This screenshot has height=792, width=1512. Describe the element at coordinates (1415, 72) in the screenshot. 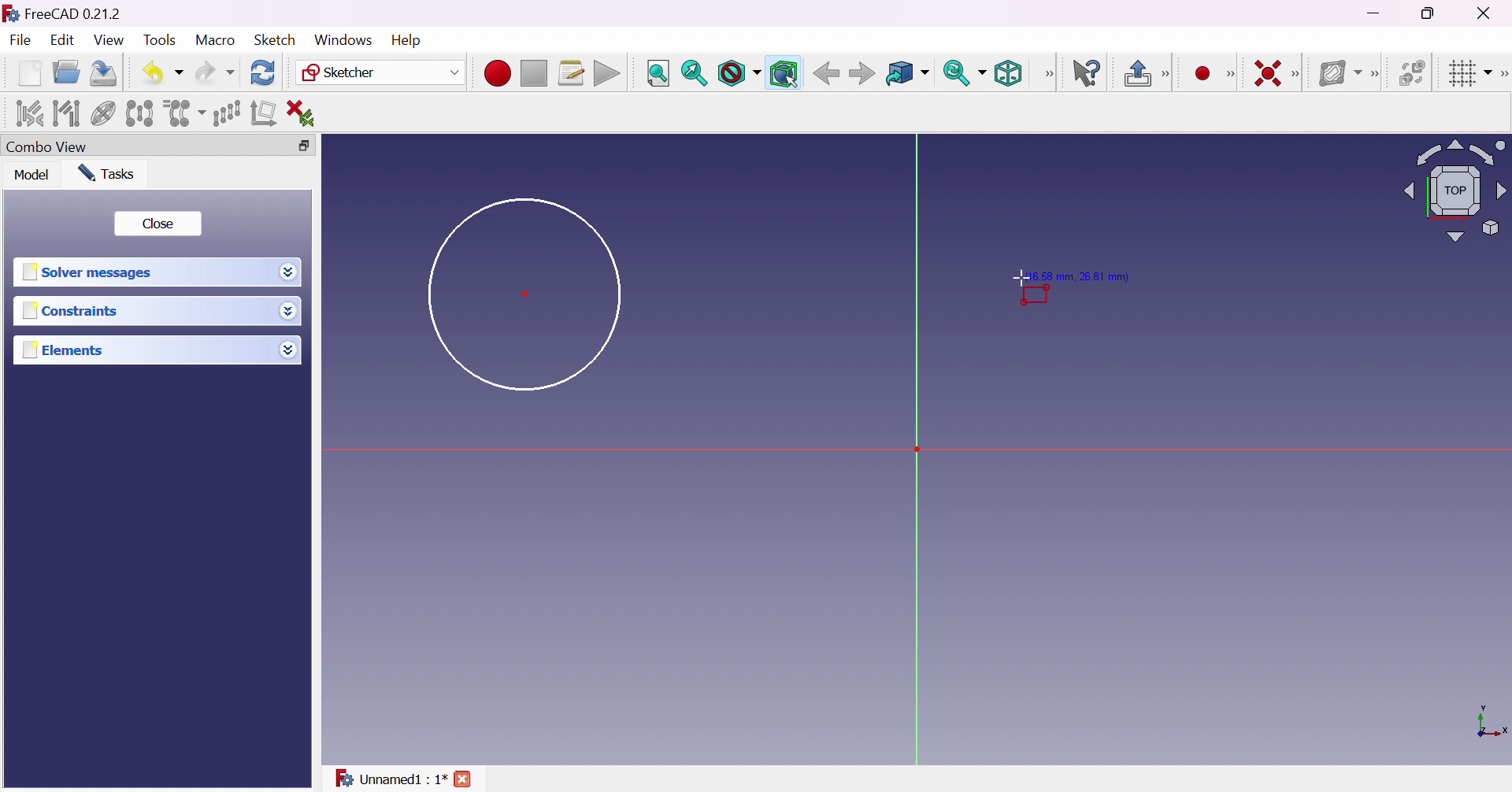

I see `Switch virtual space` at that location.